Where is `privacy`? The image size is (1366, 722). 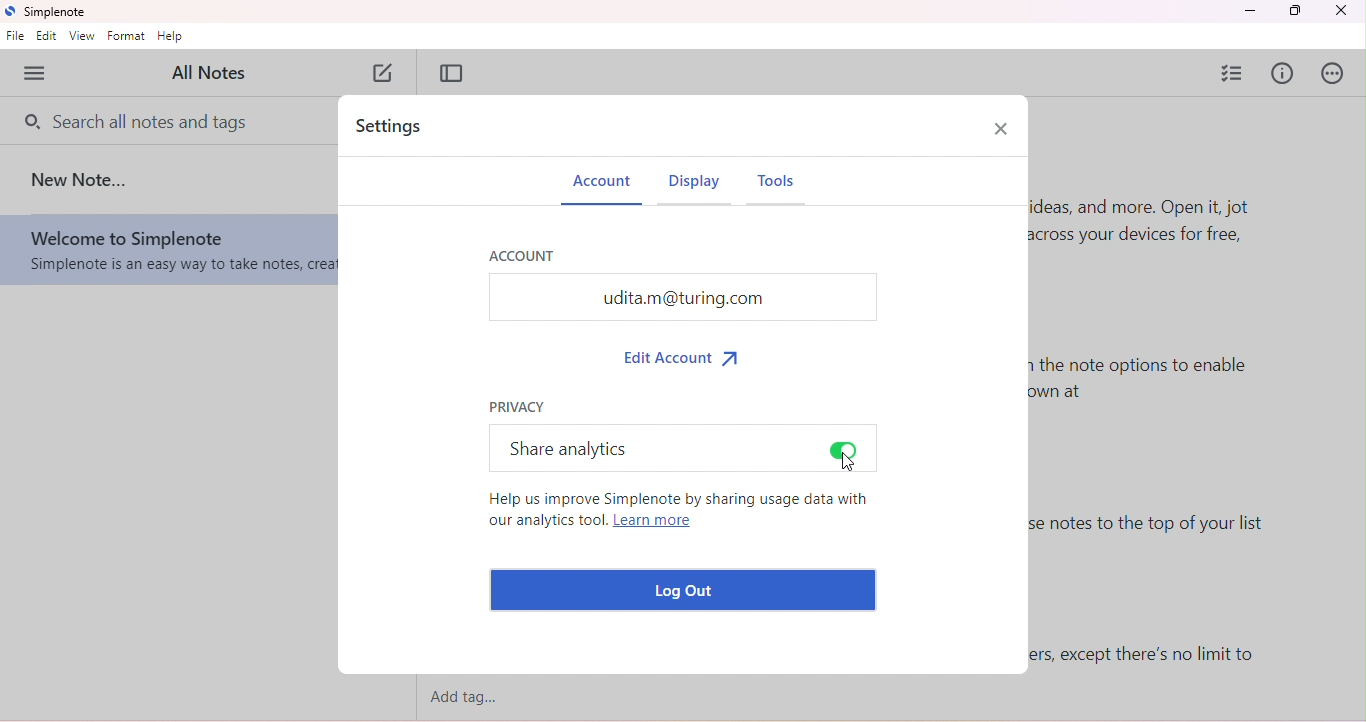 privacy is located at coordinates (519, 405).